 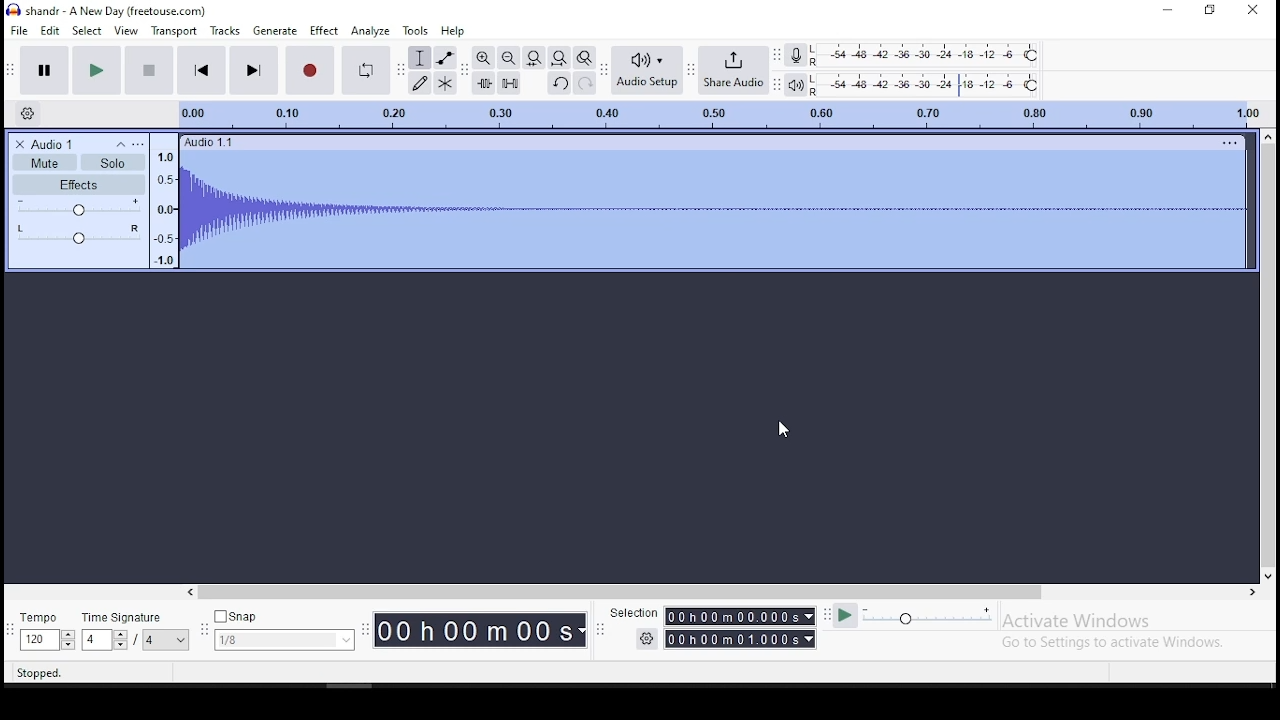 I want to click on delete track, so click(x=18, y=144).